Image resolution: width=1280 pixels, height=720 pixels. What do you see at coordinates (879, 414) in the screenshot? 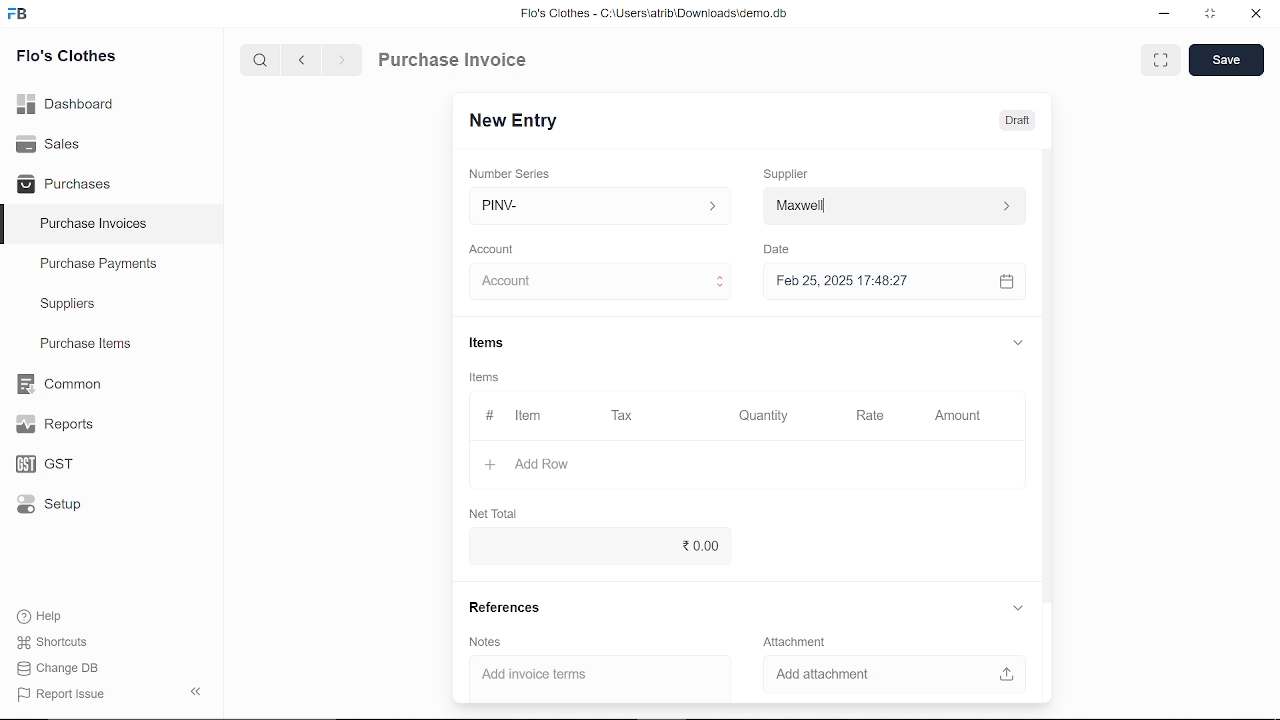
I see `Rate` at bounding box center [879, 414].